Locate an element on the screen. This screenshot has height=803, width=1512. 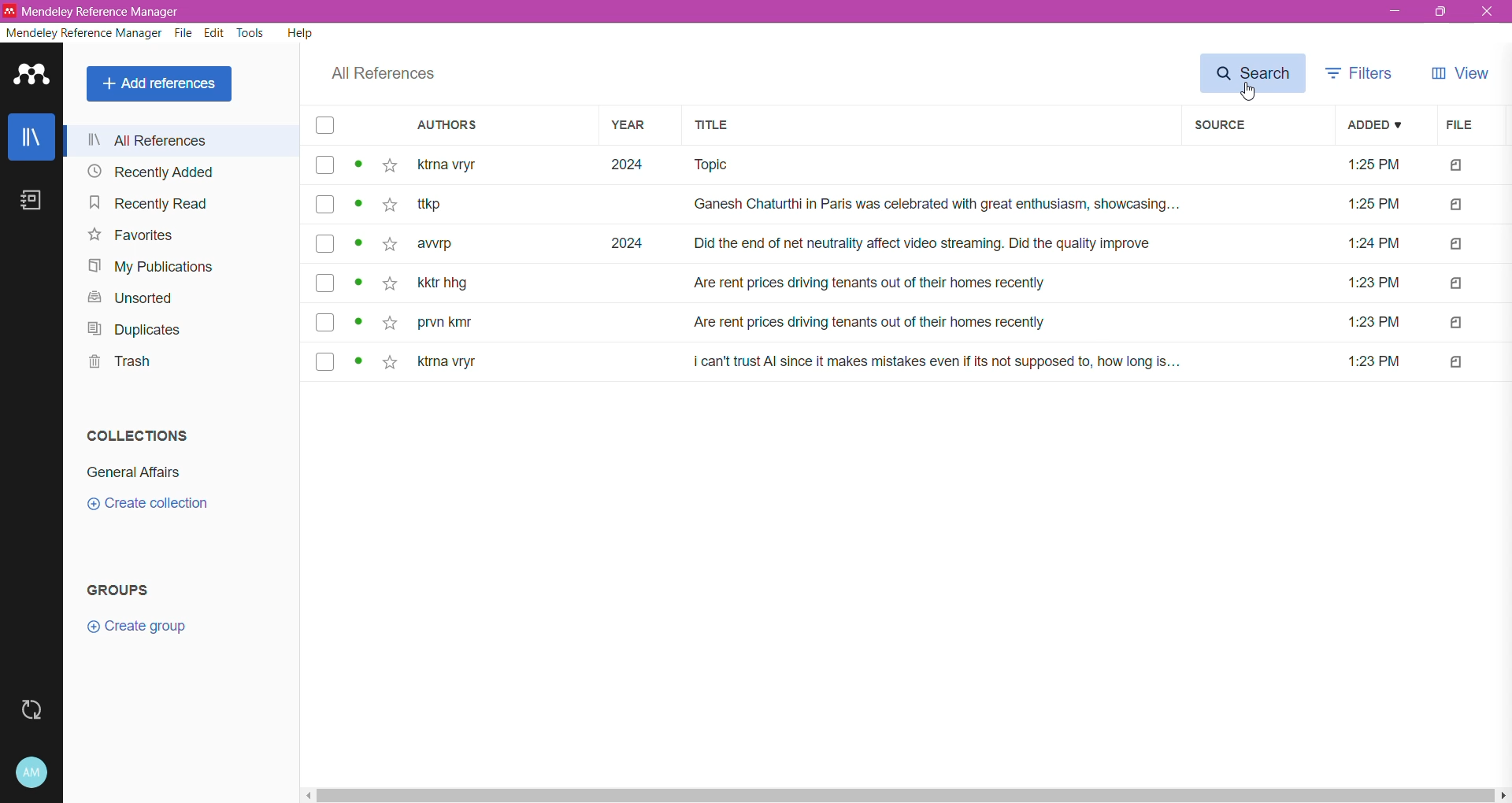
Library is located at coordinates (28, 137).